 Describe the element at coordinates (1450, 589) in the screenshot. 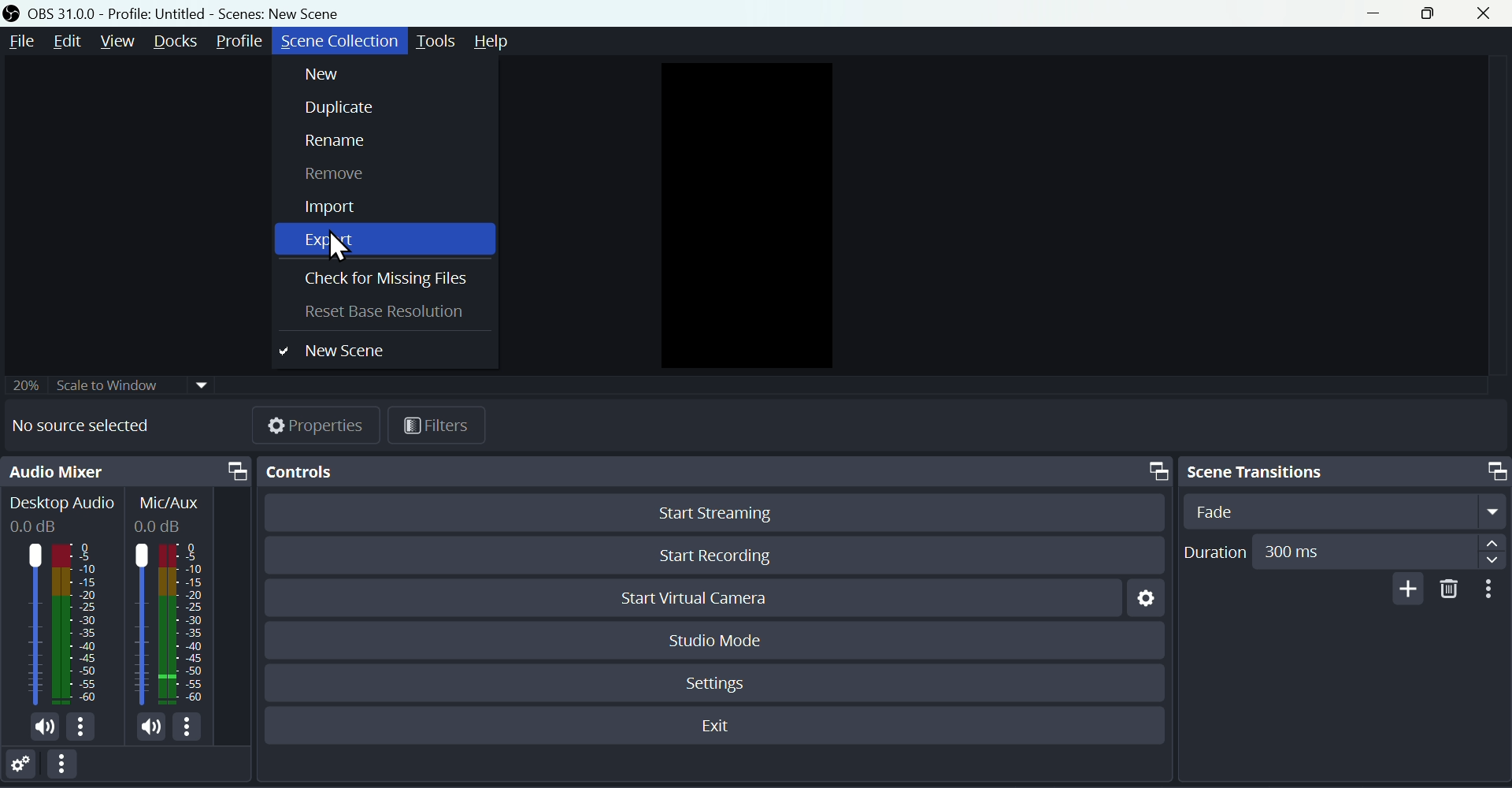

I see `delete` at that location.